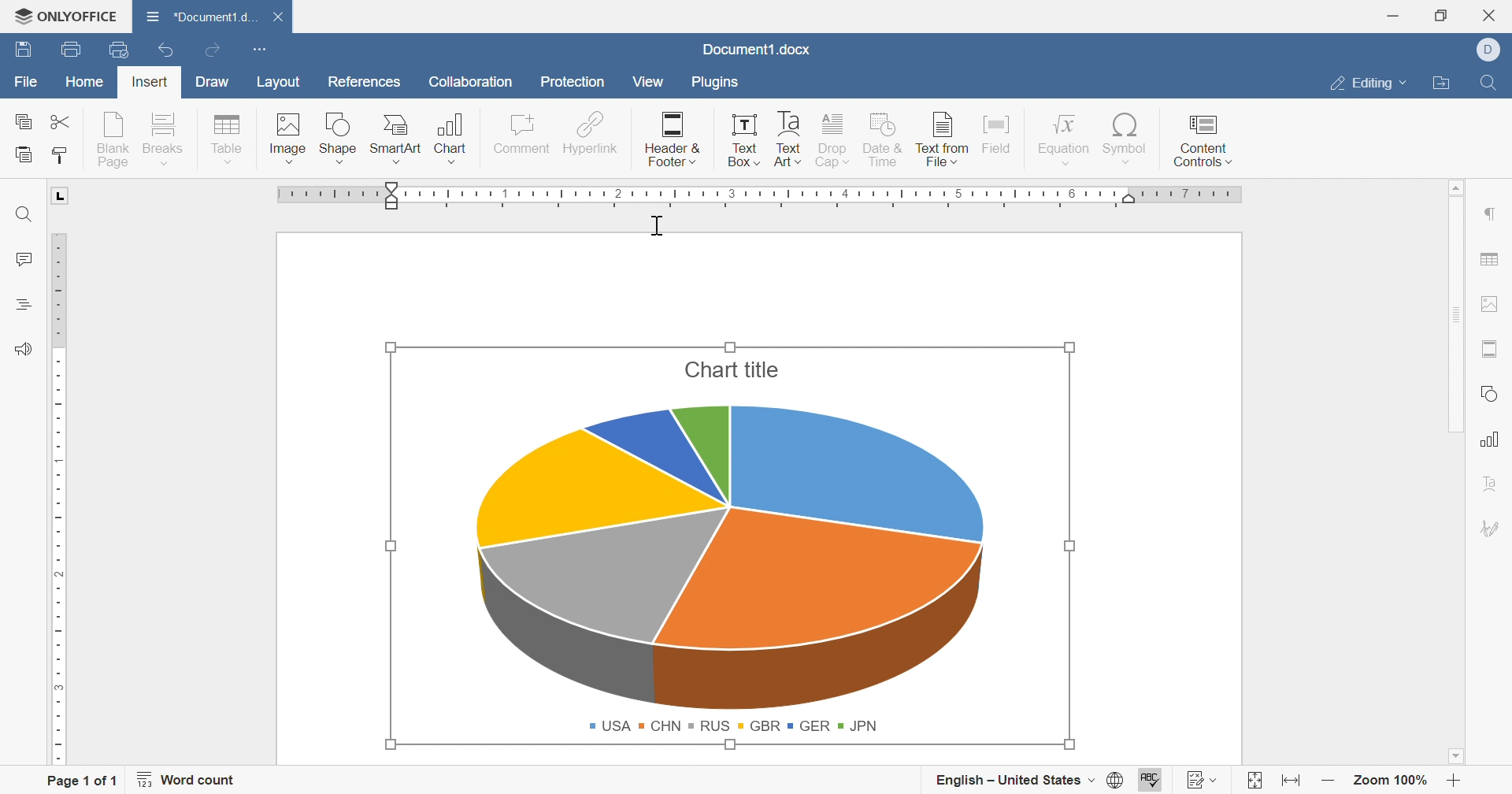  What do you see at coordinates (471, 84) in the screenshot?
I see `Collaboration` at bounding box center [471, 84].